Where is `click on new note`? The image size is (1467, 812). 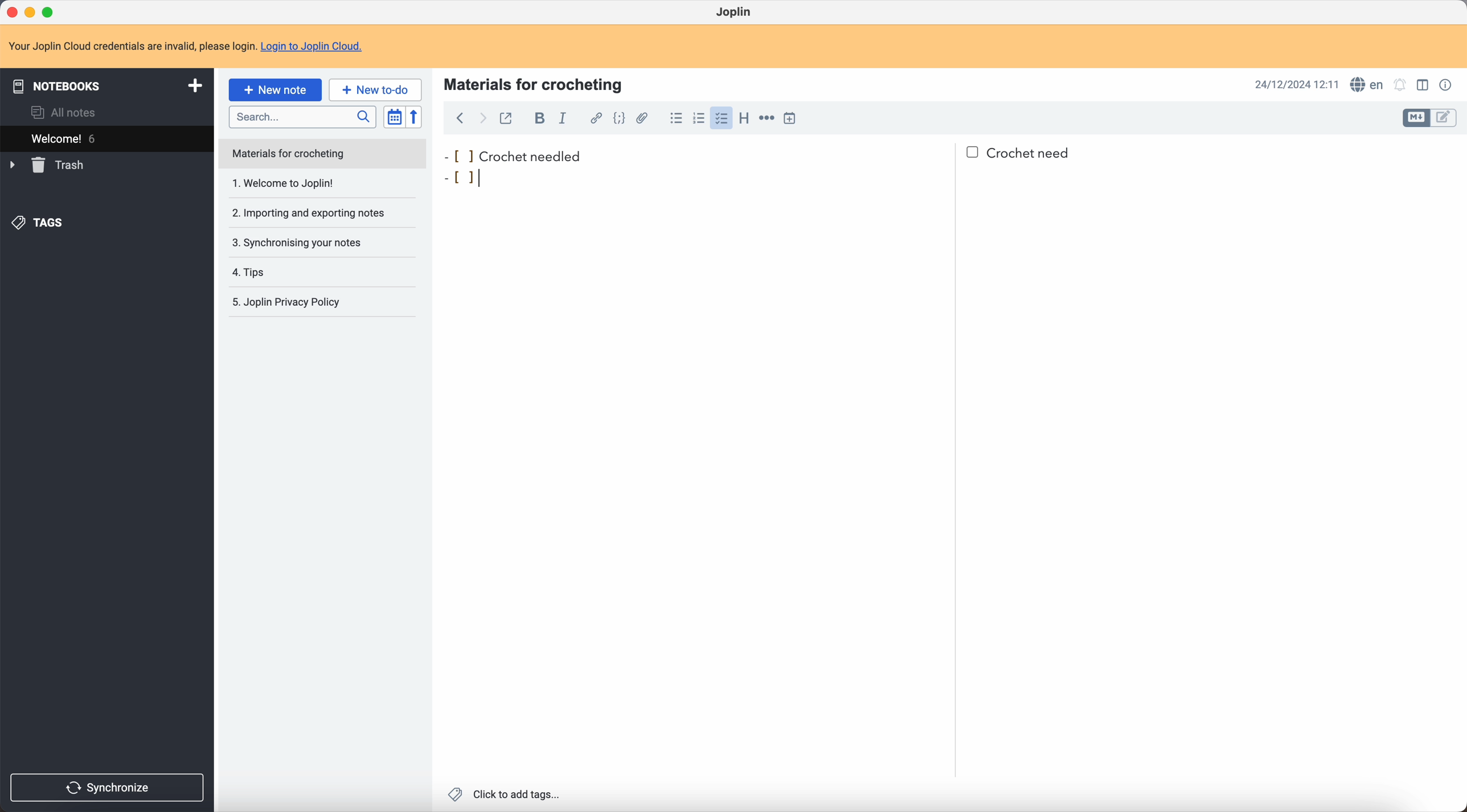
click on new note is located at coordinates (276, 89).